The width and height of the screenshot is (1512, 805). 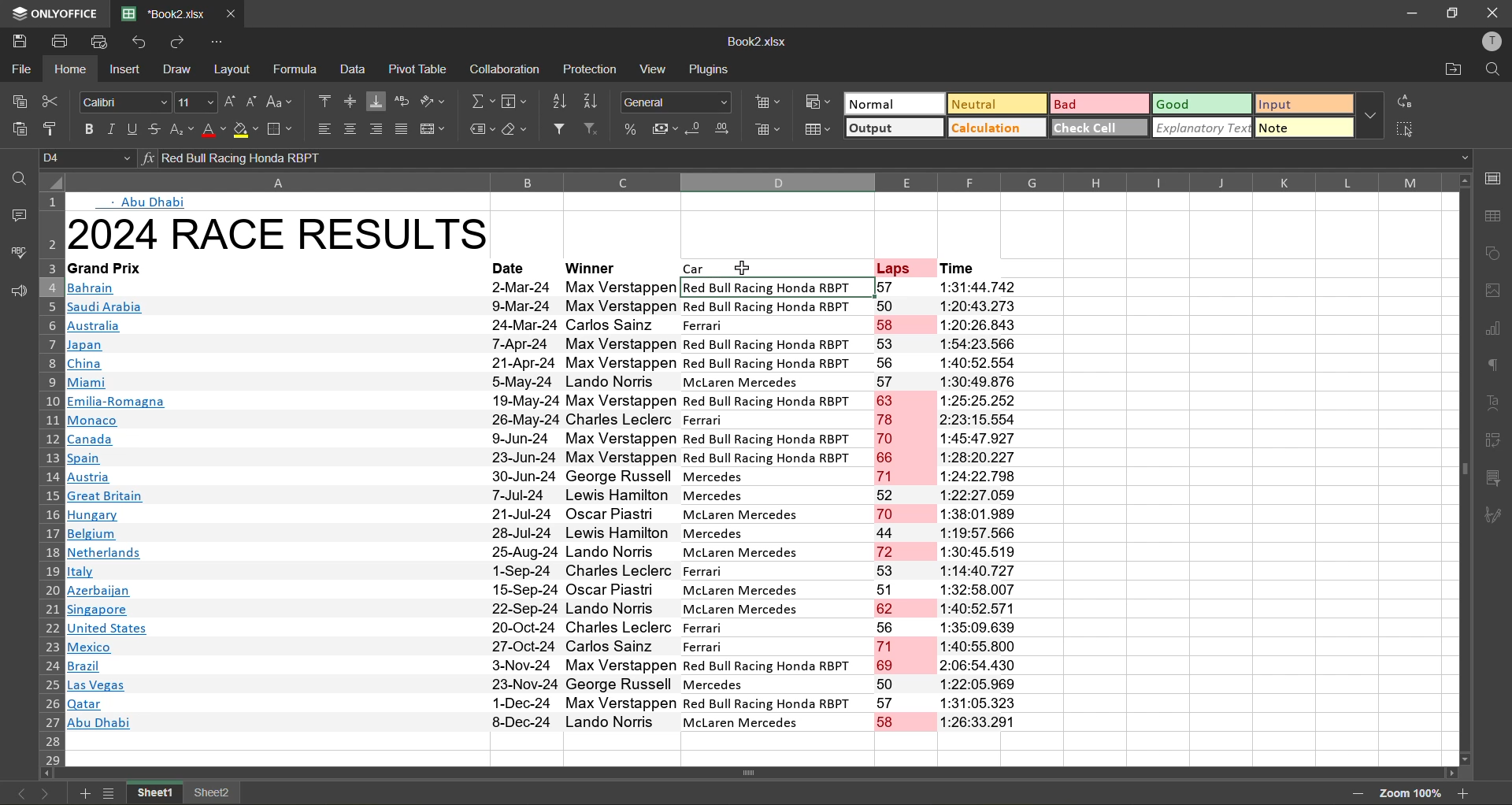 What do you see at coordinates (595, 131) in the screenshot?
I see `clear` at bounding box center [595, 131].